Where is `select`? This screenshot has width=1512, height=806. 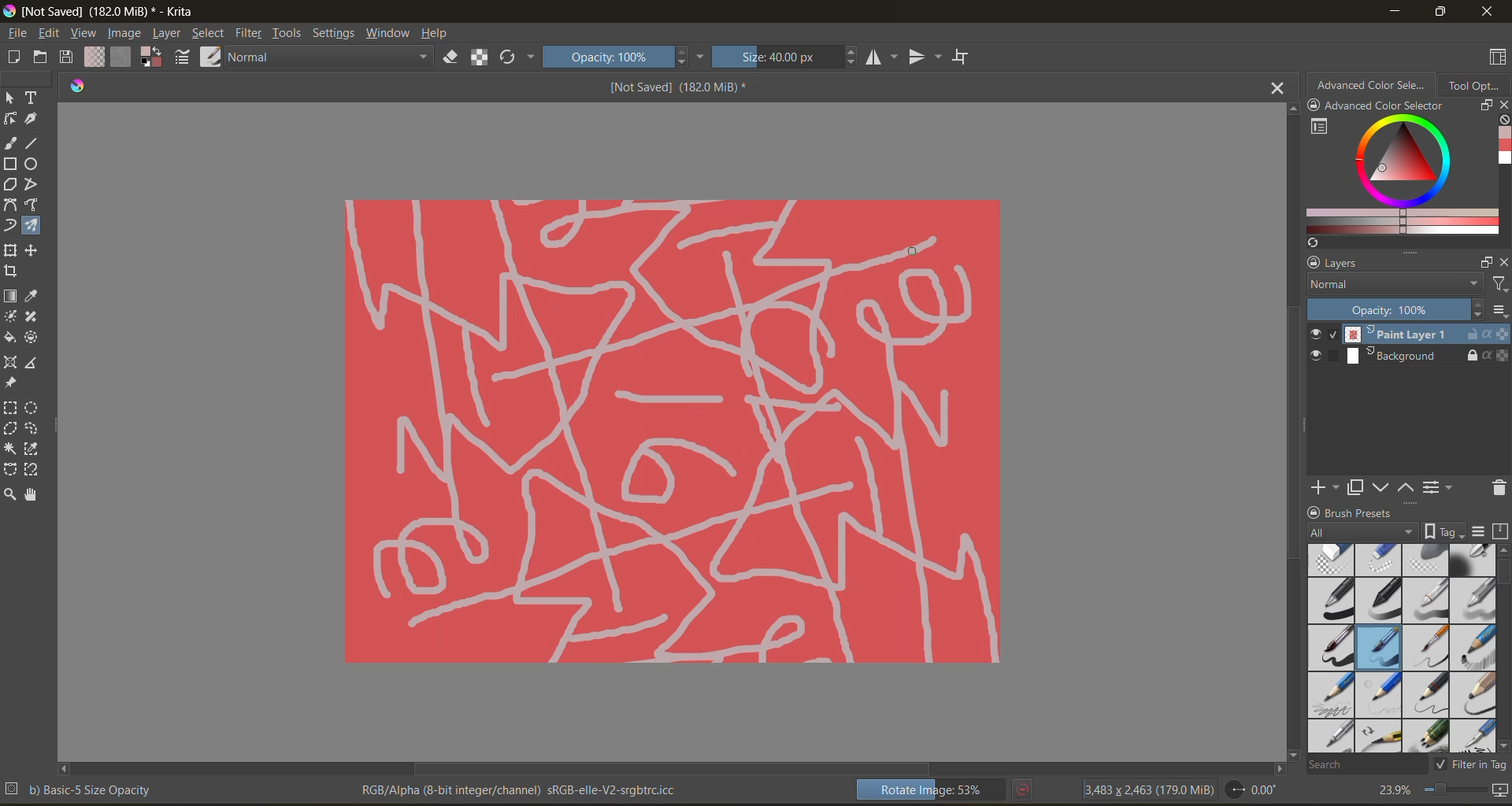
select is located at coordinates (210, 35).